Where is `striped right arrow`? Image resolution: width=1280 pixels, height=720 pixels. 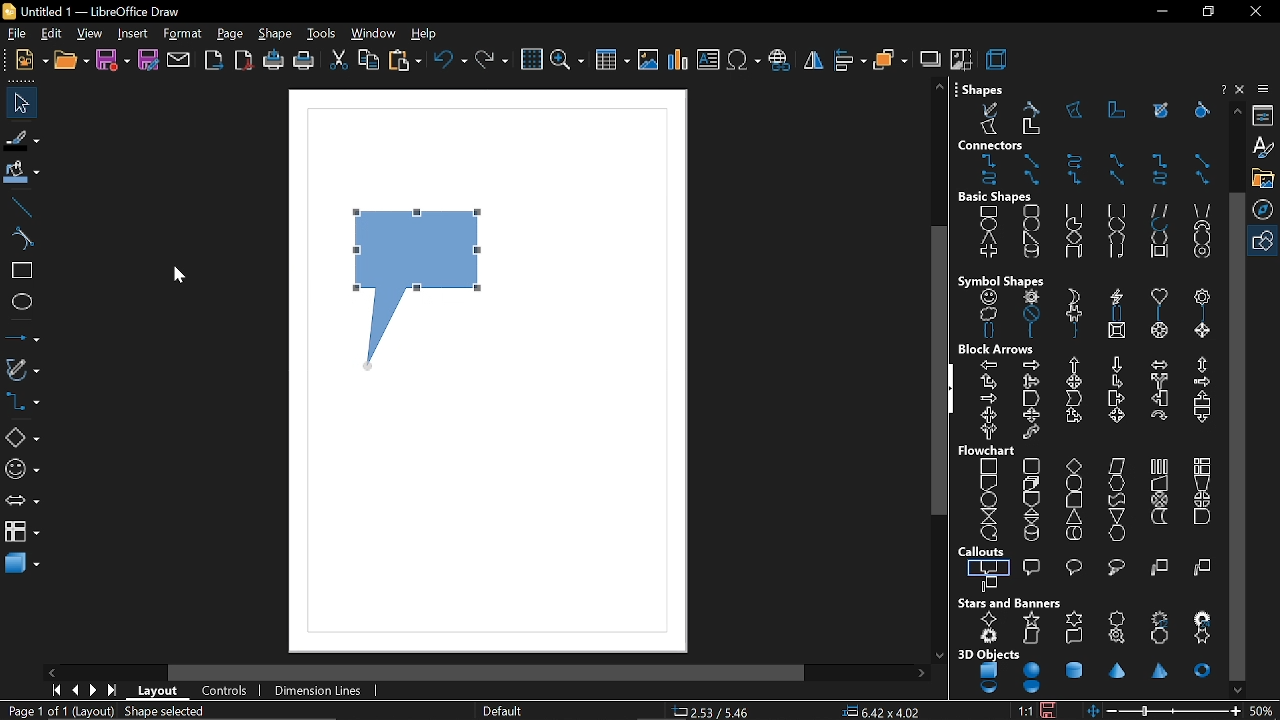 striped right arrow is located at coordinates (1202, 382).